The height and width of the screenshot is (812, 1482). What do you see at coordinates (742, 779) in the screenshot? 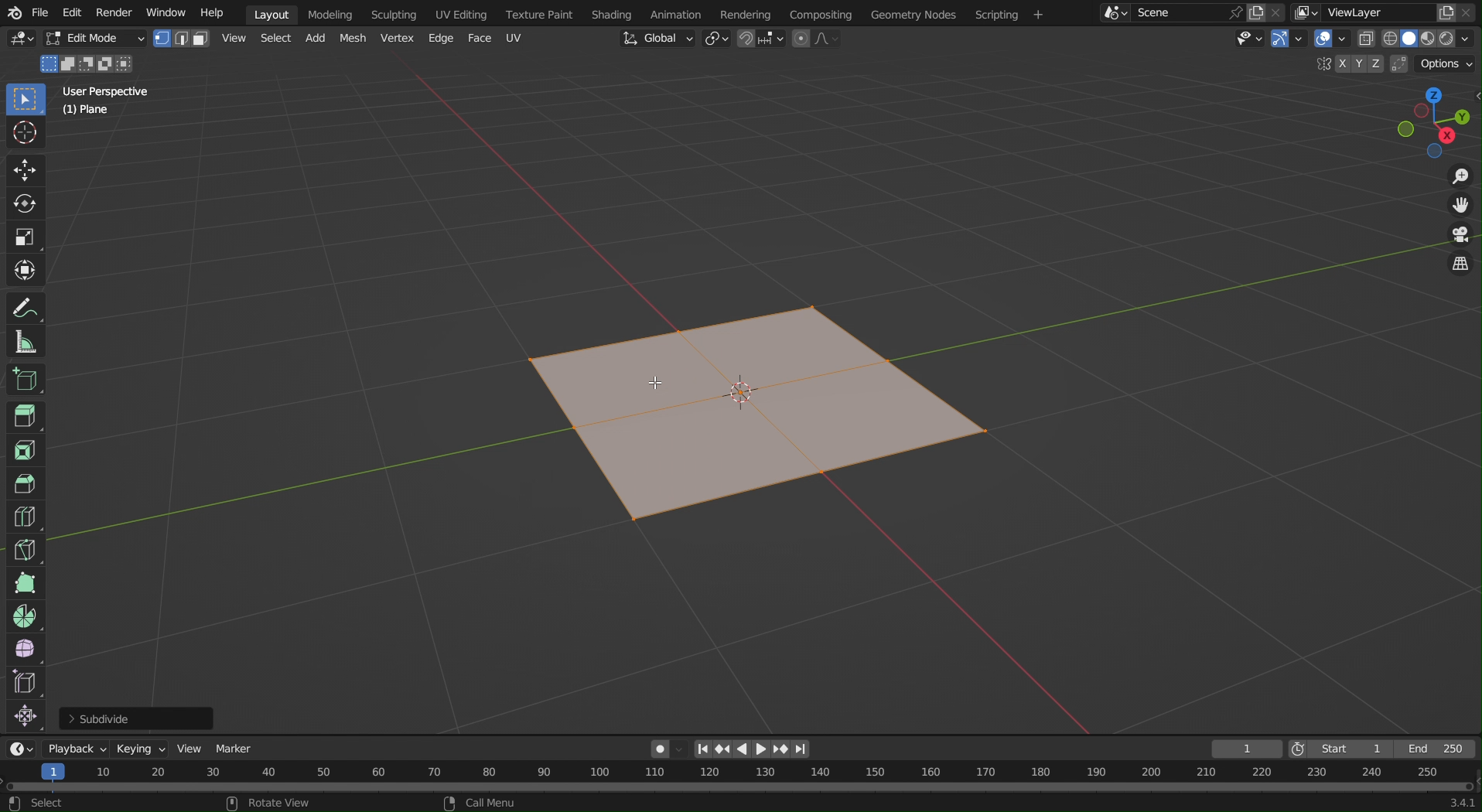
I see `Timeline` at bounding box center [742, 779].